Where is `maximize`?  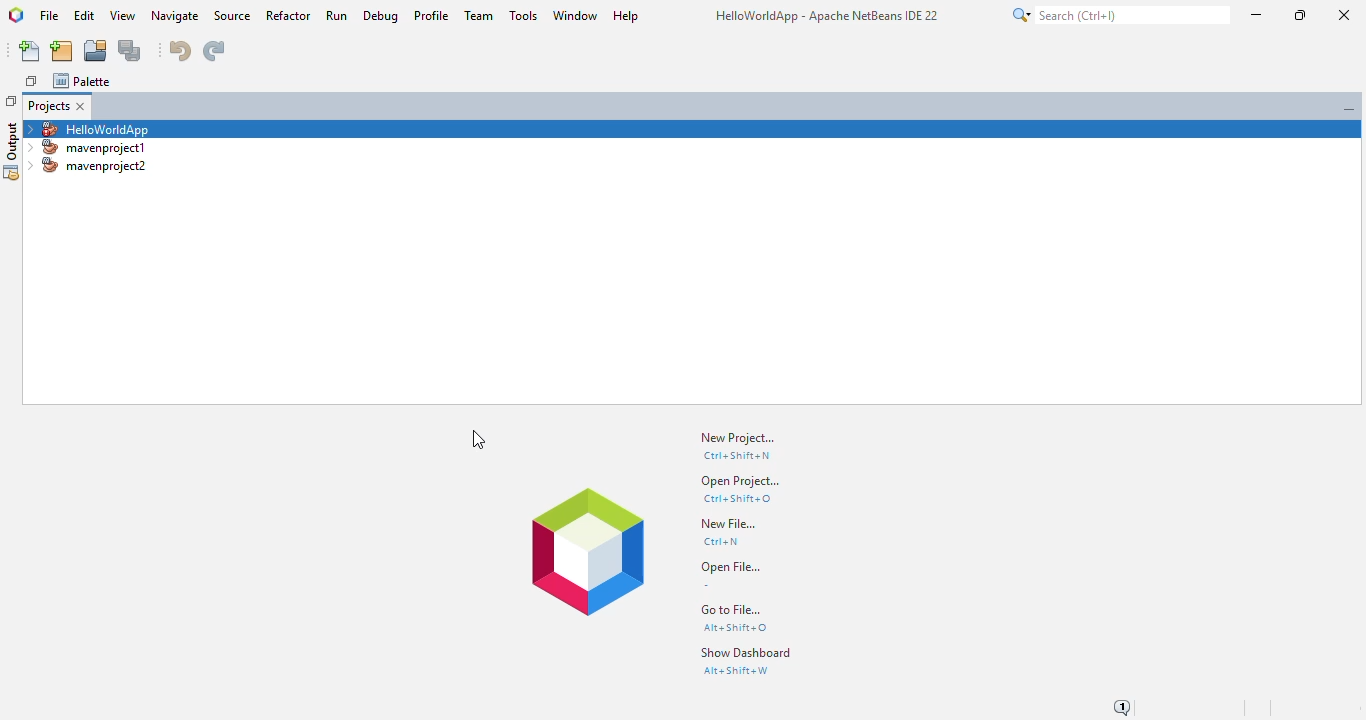 maximize is located at coordinates (1299, 15).